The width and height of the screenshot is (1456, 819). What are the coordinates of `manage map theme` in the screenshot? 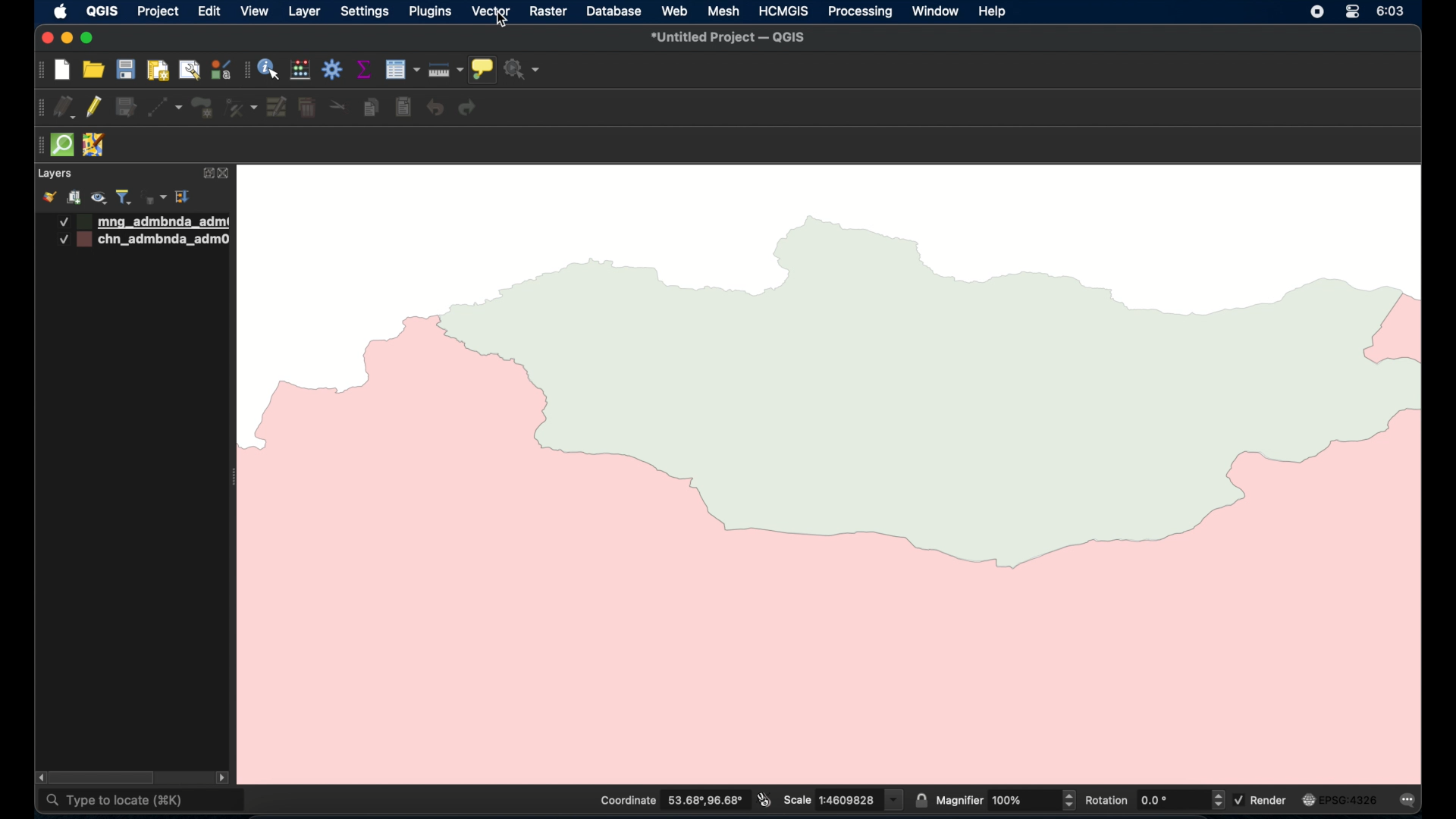 It's located at (100, 198).